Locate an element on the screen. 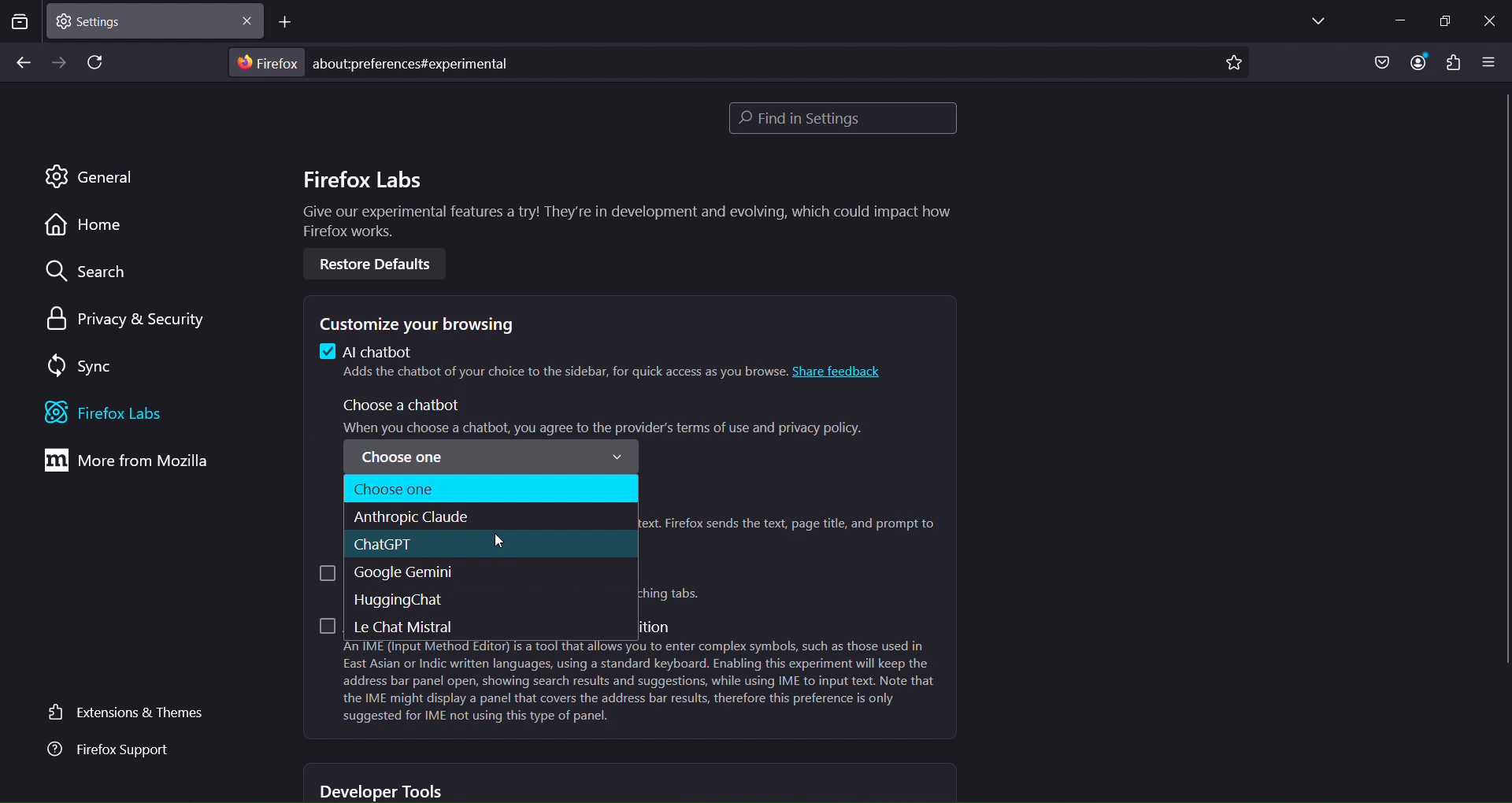 The width and height of the screenshot is (1512, 803). search tabs is located at coordinates (20, 24).